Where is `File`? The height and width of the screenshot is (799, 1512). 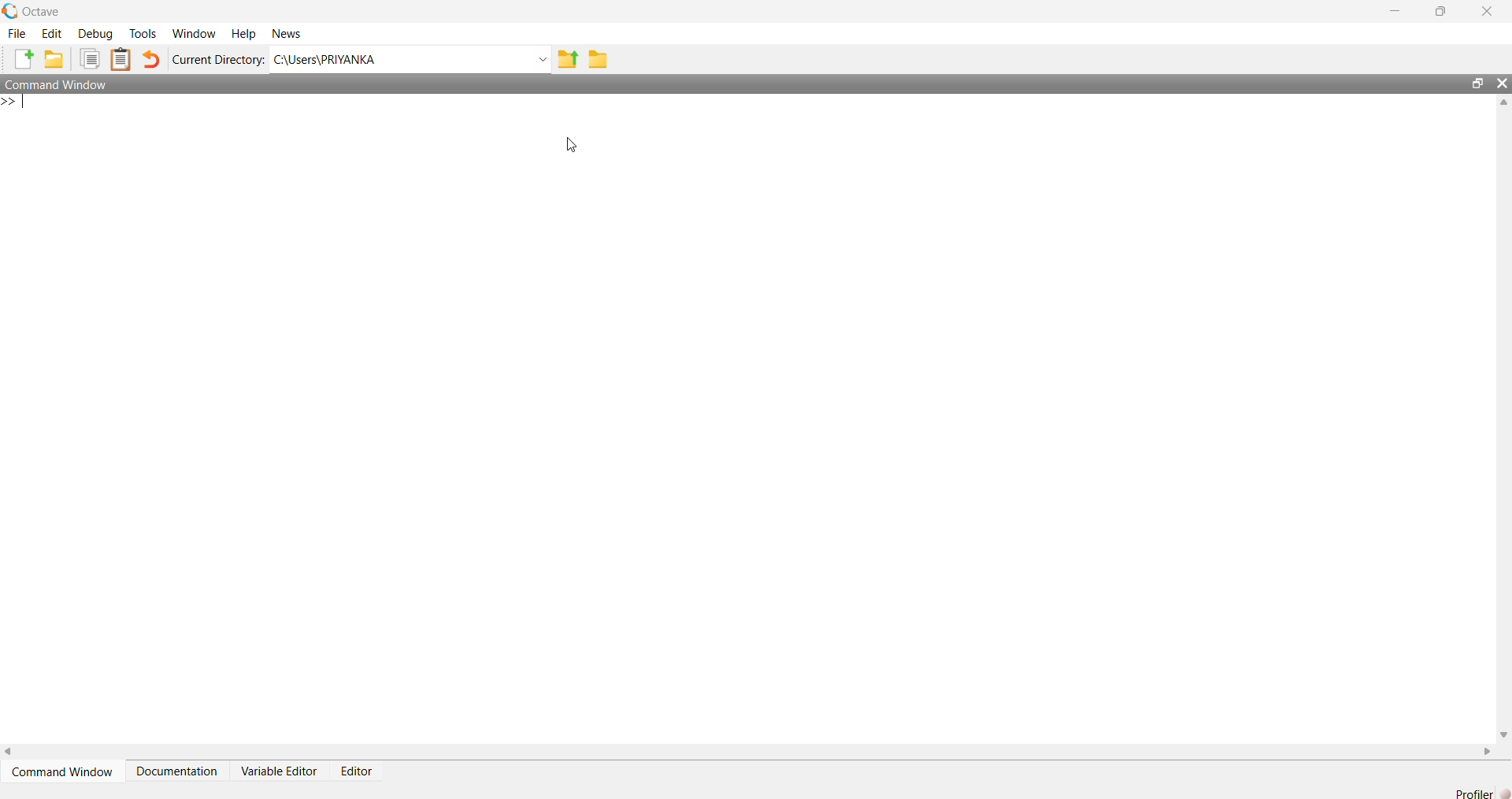
File is located at coordinates (17, 32).